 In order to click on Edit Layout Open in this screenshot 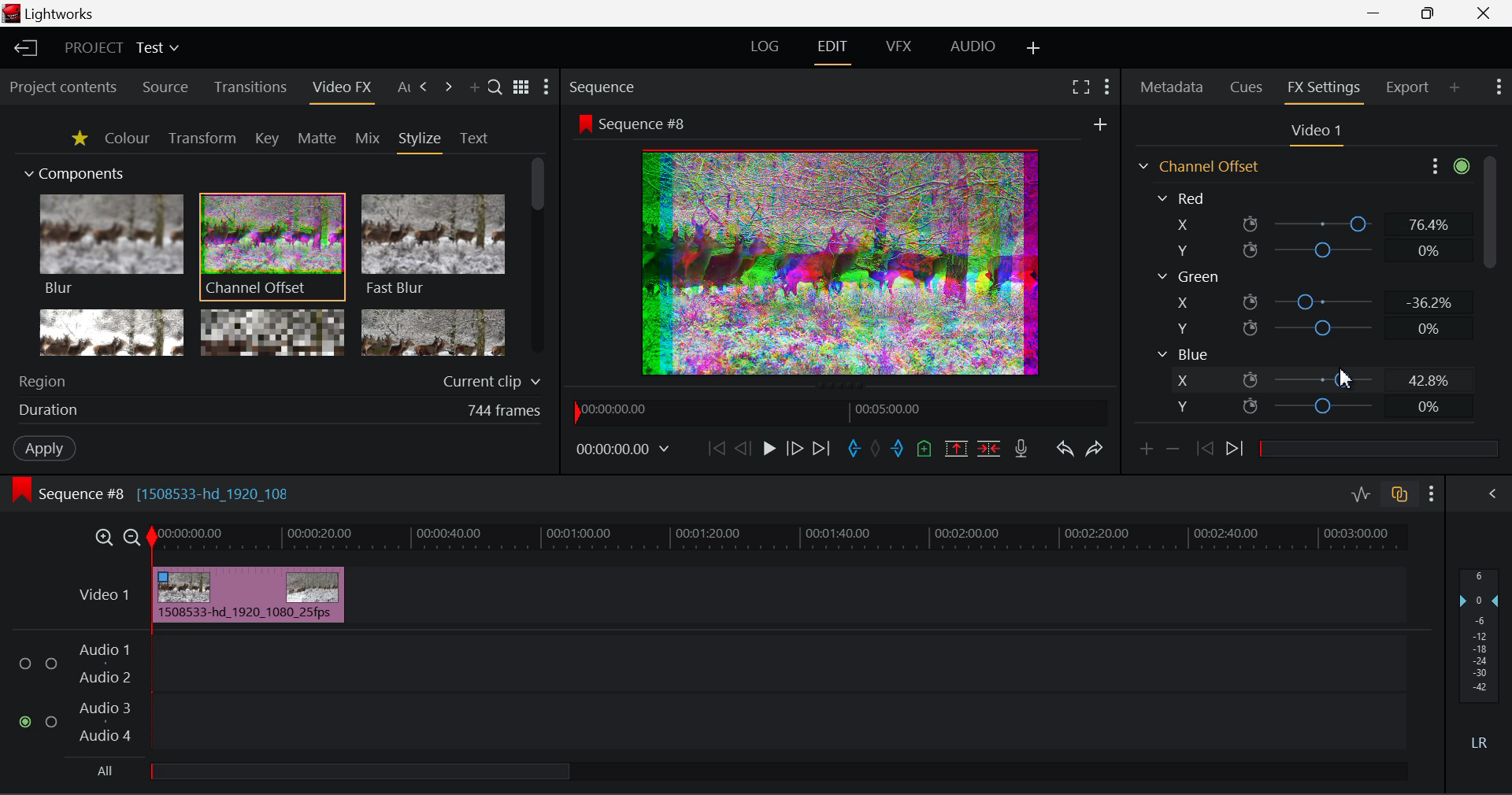, I will do `click(832, 52)`.